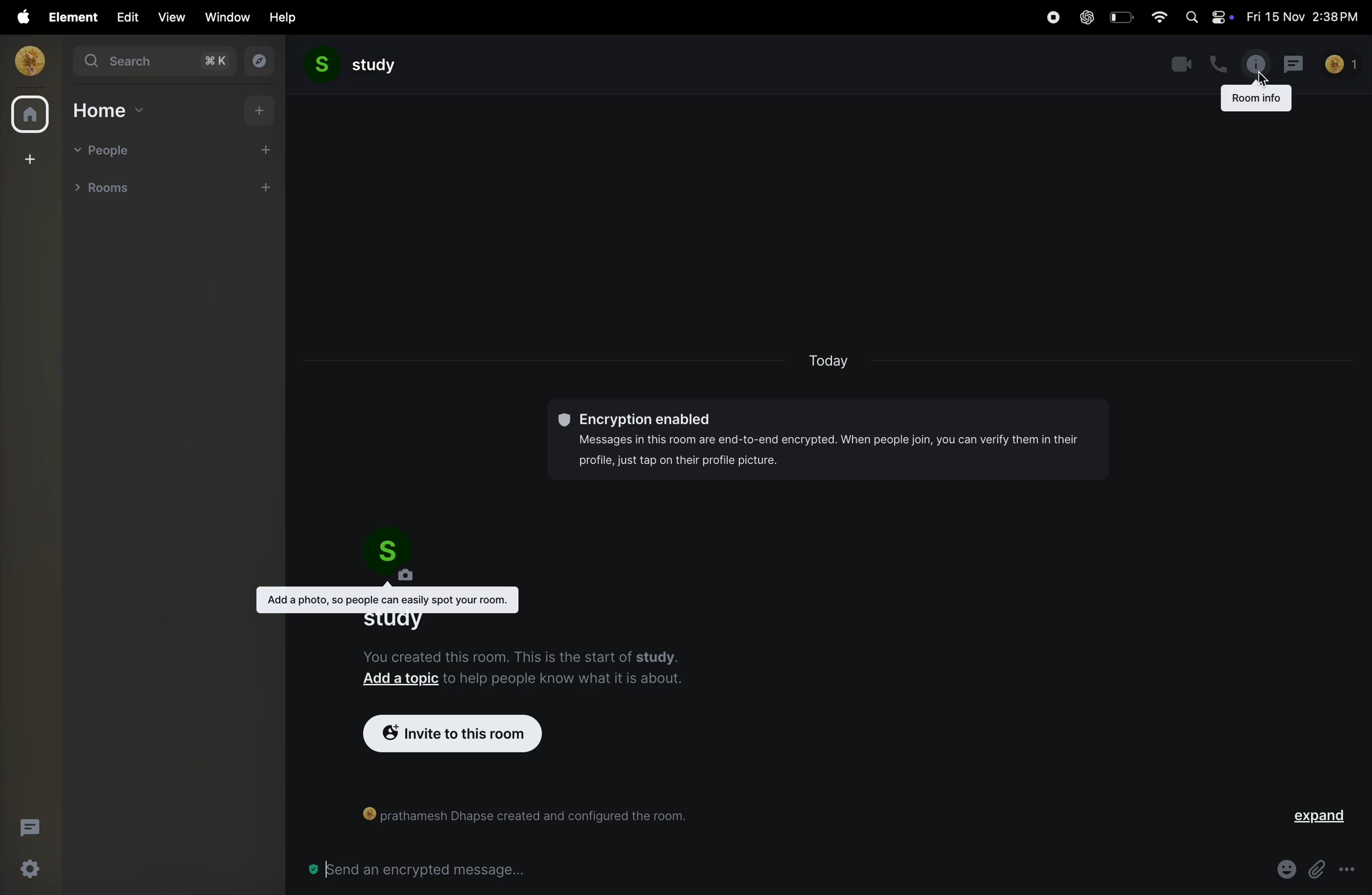  I want to click on add people, so click(258, 149).